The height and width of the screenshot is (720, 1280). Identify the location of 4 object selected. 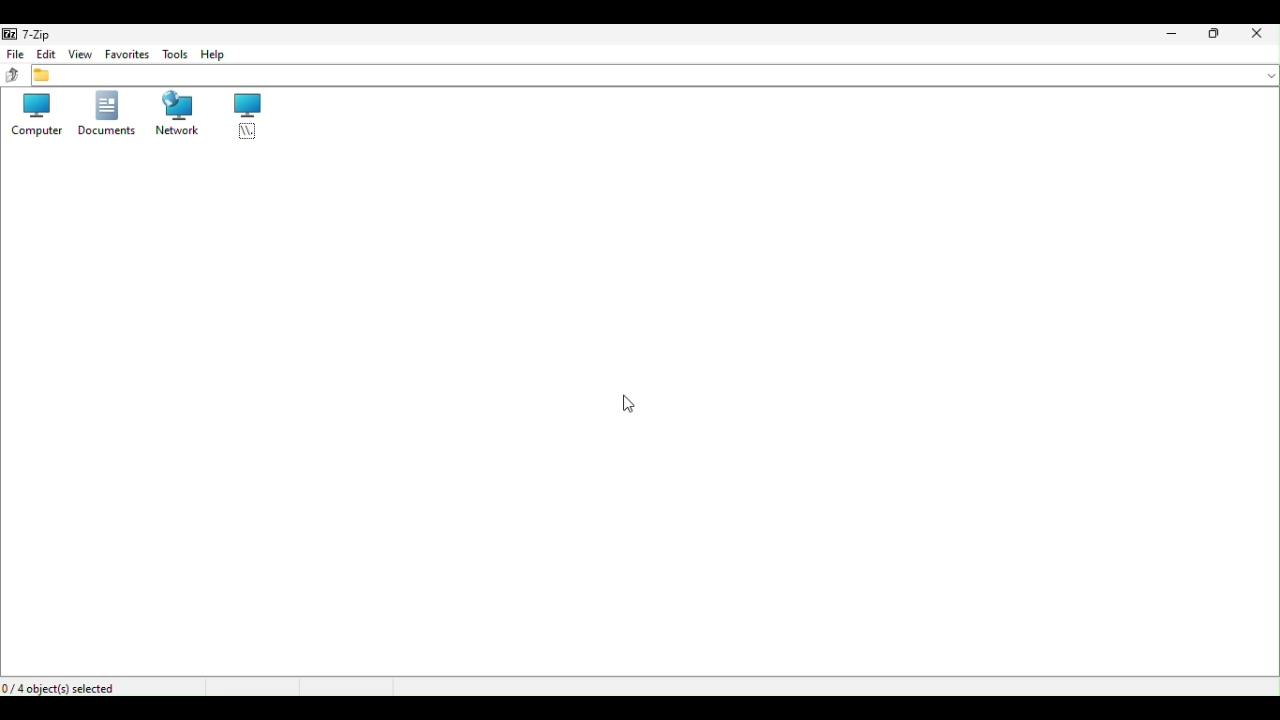
(58, 685).